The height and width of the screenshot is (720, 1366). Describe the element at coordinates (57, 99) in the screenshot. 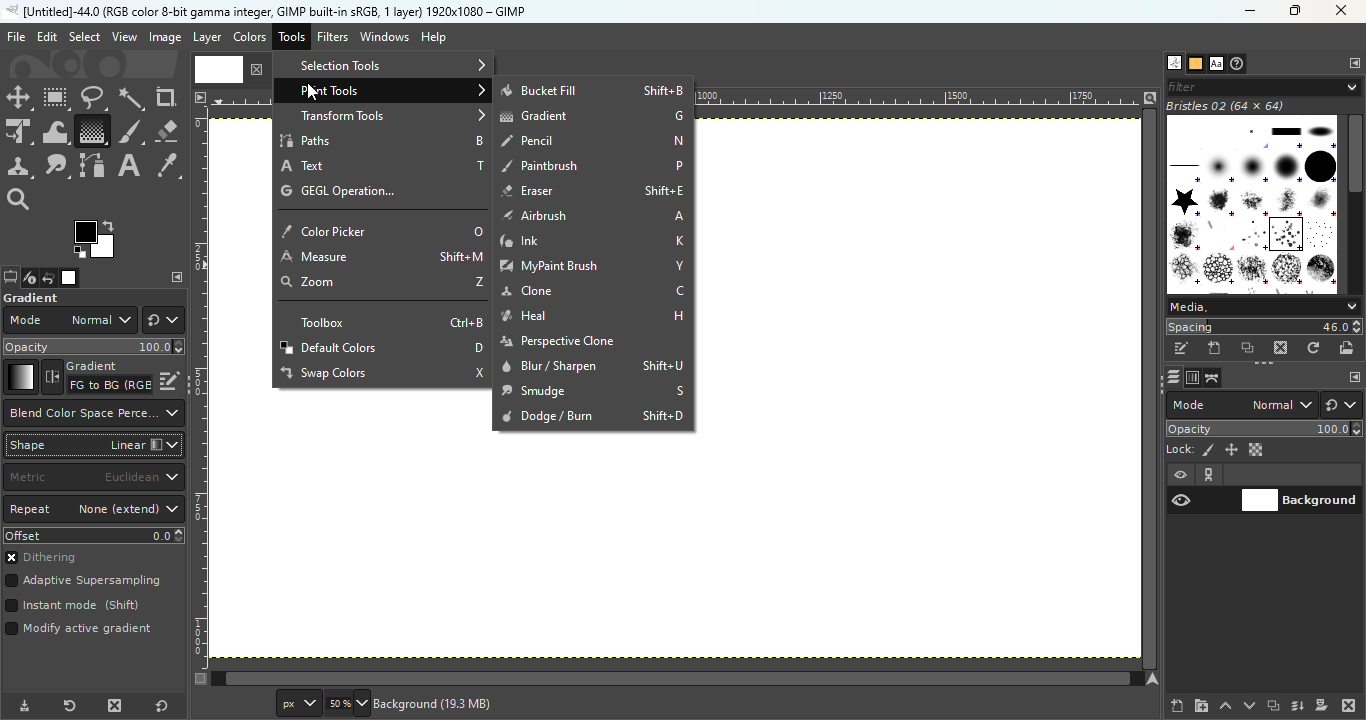

I see `Rectangle select tool` at that location.